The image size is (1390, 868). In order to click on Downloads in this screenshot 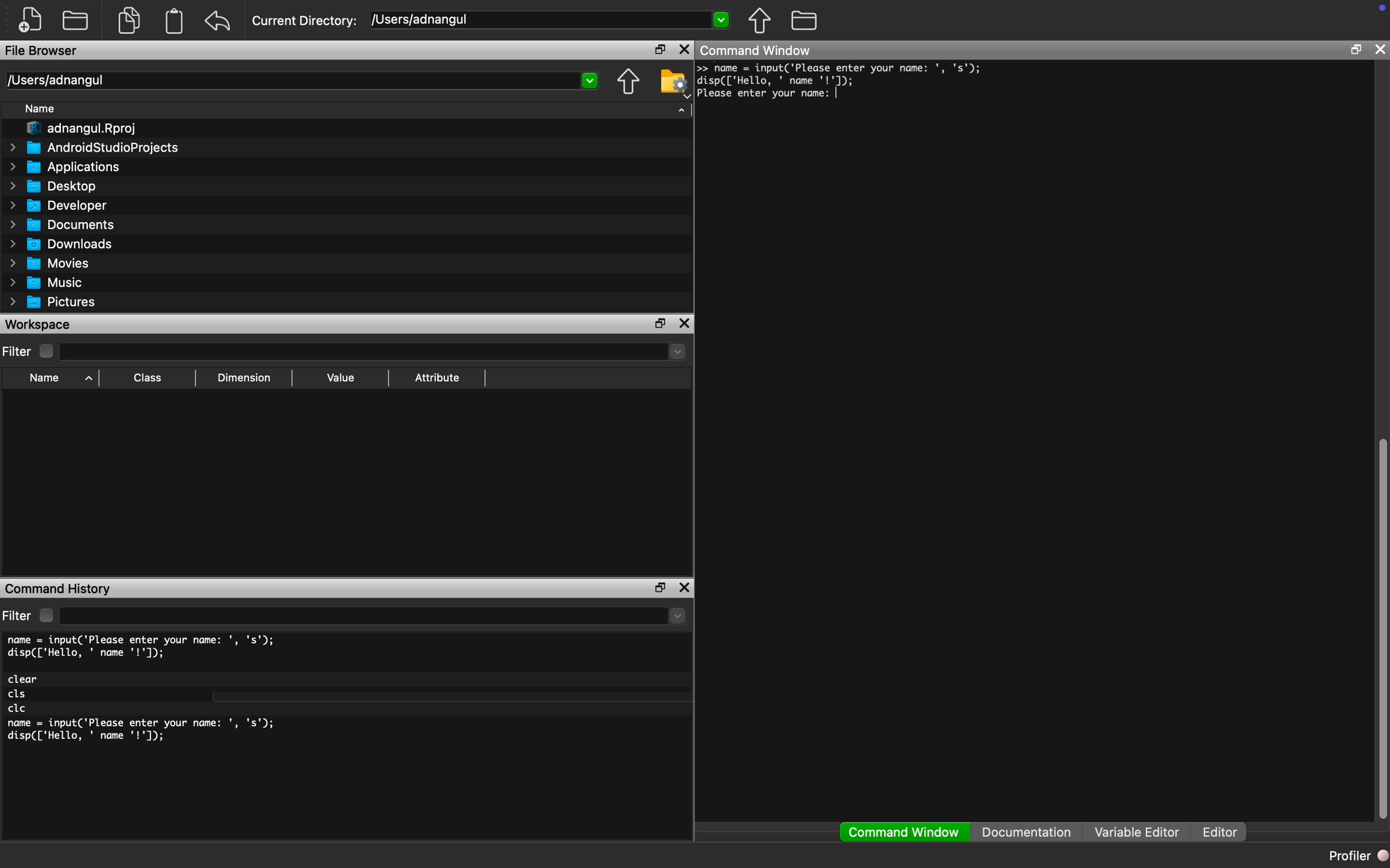, I will do `click(63, 243)`.